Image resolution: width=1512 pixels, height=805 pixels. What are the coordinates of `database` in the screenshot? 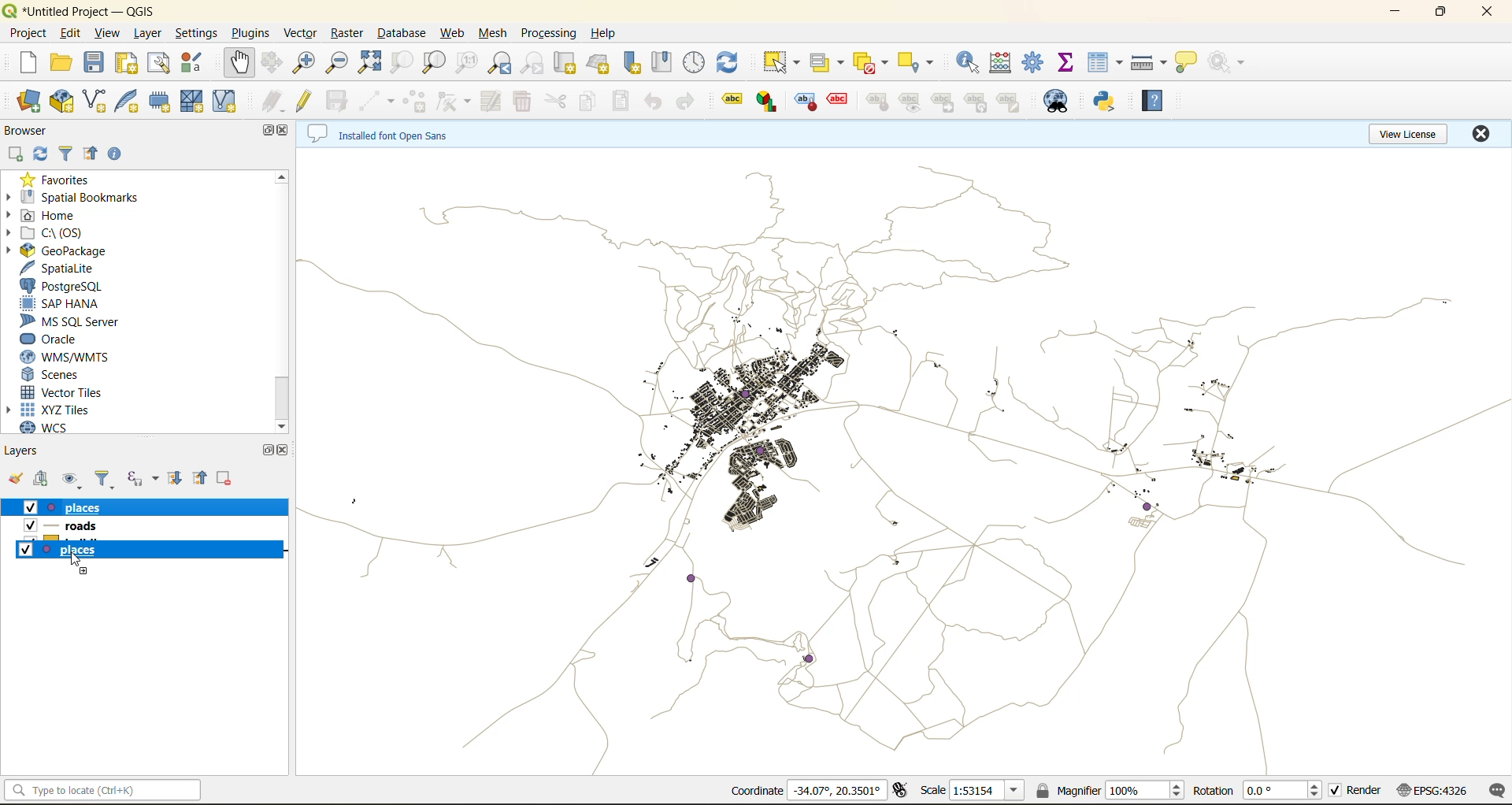 It's located at (402, 34).